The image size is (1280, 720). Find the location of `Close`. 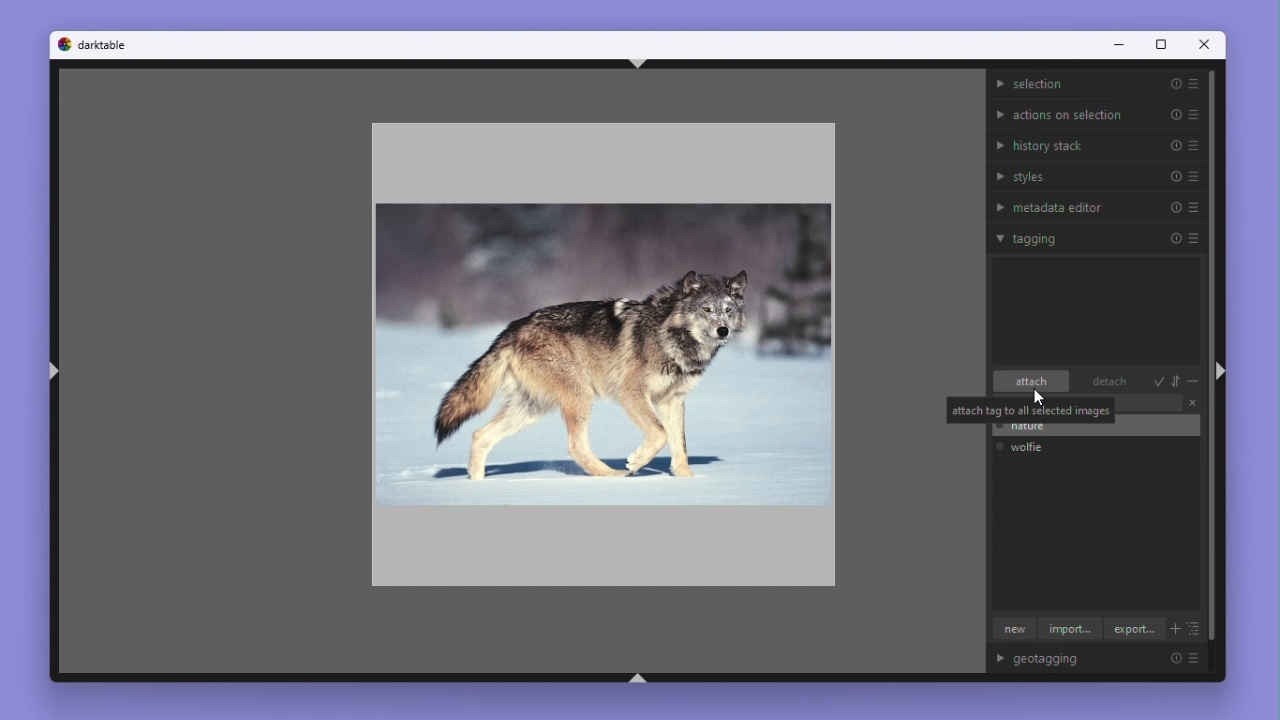

Close is located at coordinates (1206, 47).